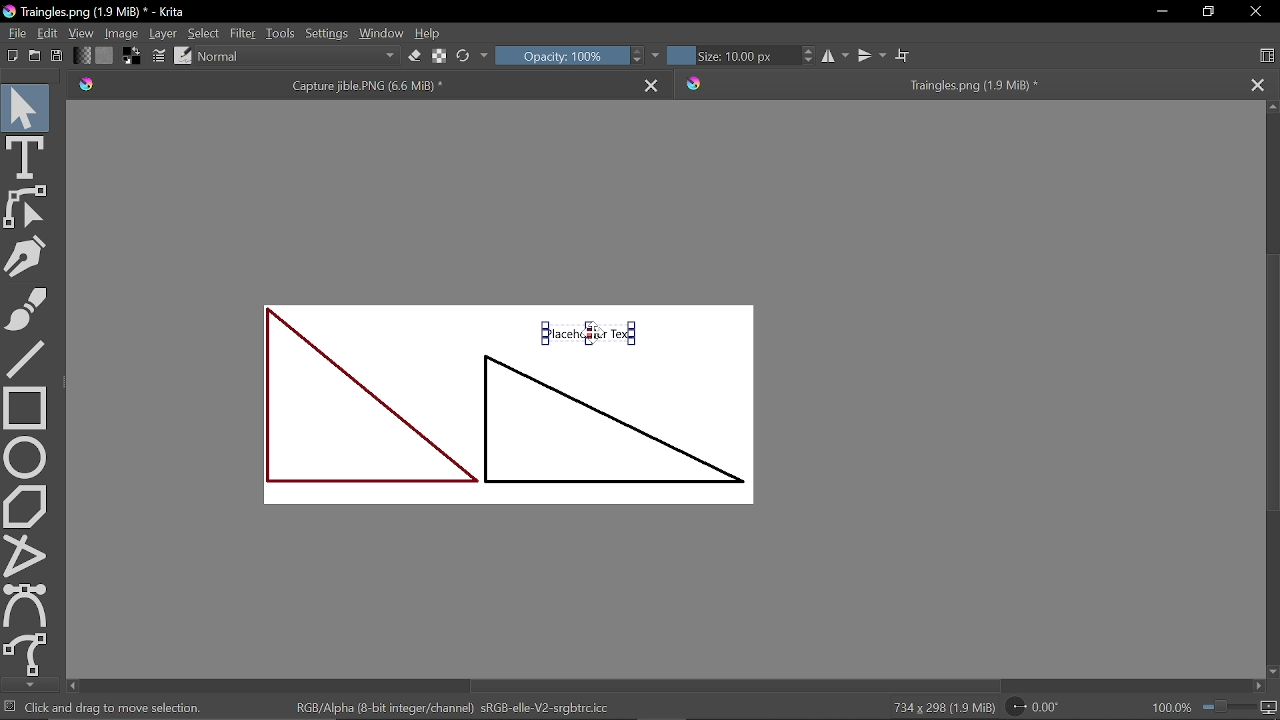 This screenshot has width=1280, height=720. I want to click on Size 10.00 px, so click(731, 56).